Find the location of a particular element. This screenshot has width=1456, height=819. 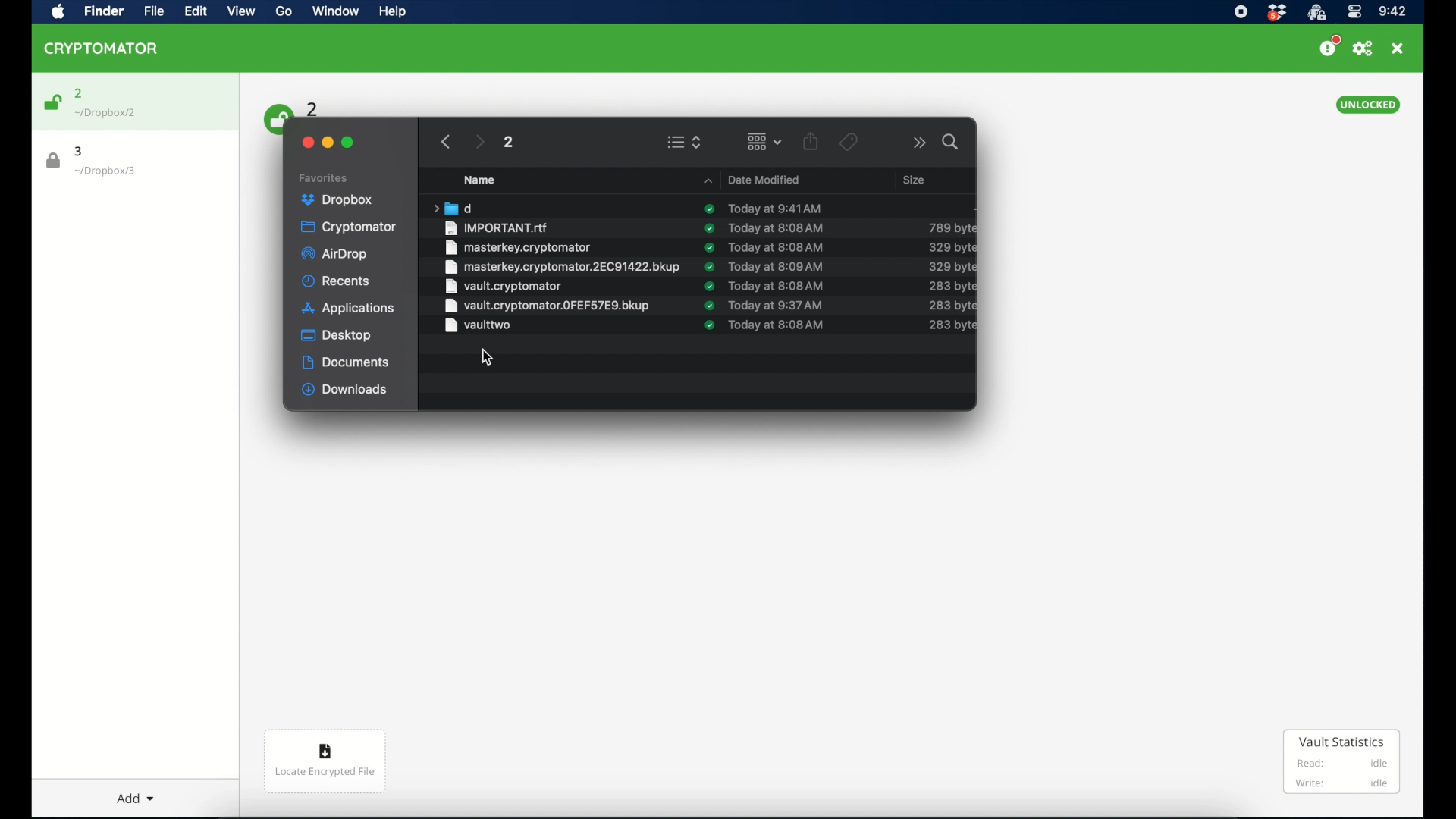

lock icon is located at coordinates (54, 161).